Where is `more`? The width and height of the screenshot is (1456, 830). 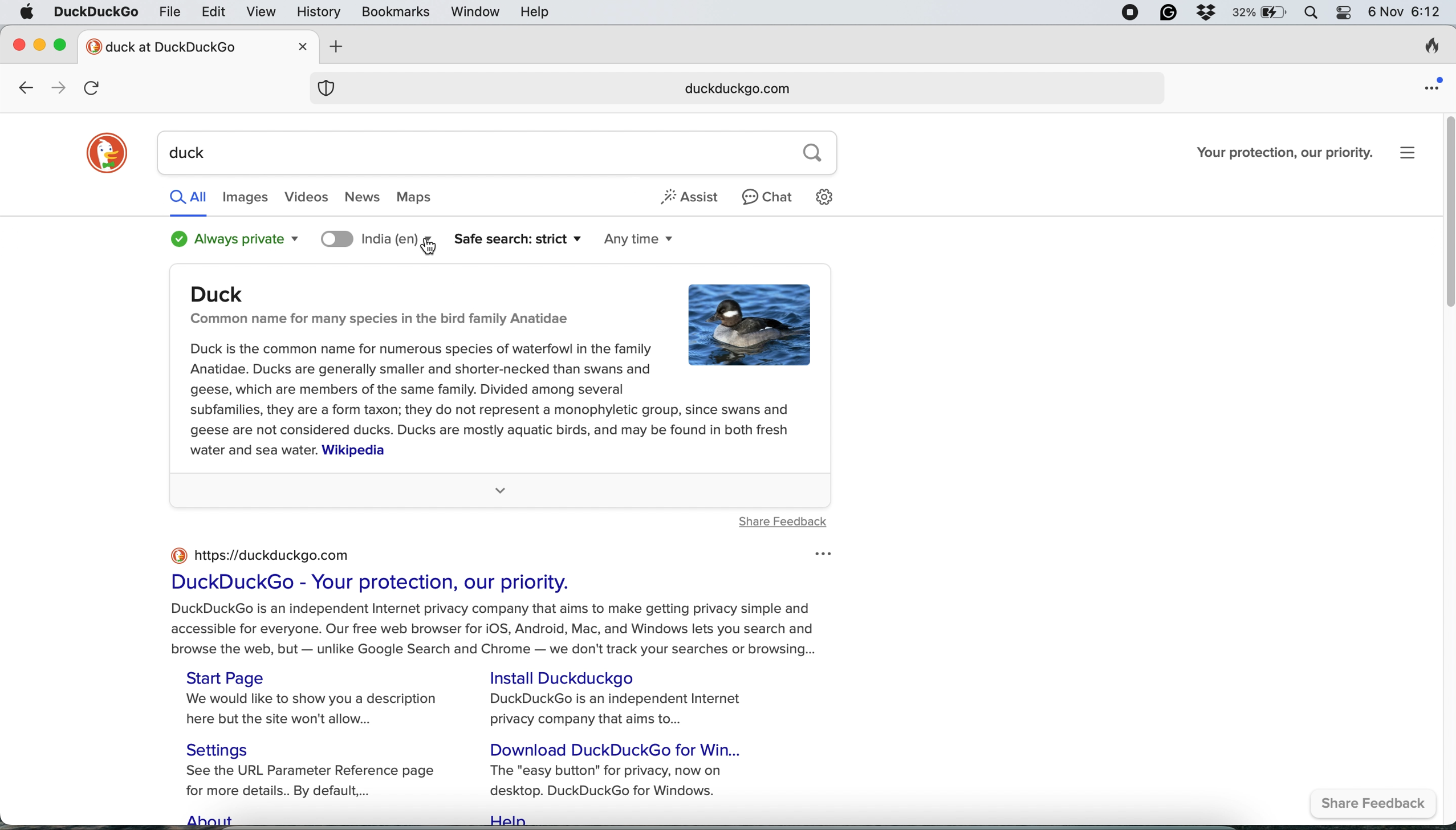
more is located at coordinates (501, 489).